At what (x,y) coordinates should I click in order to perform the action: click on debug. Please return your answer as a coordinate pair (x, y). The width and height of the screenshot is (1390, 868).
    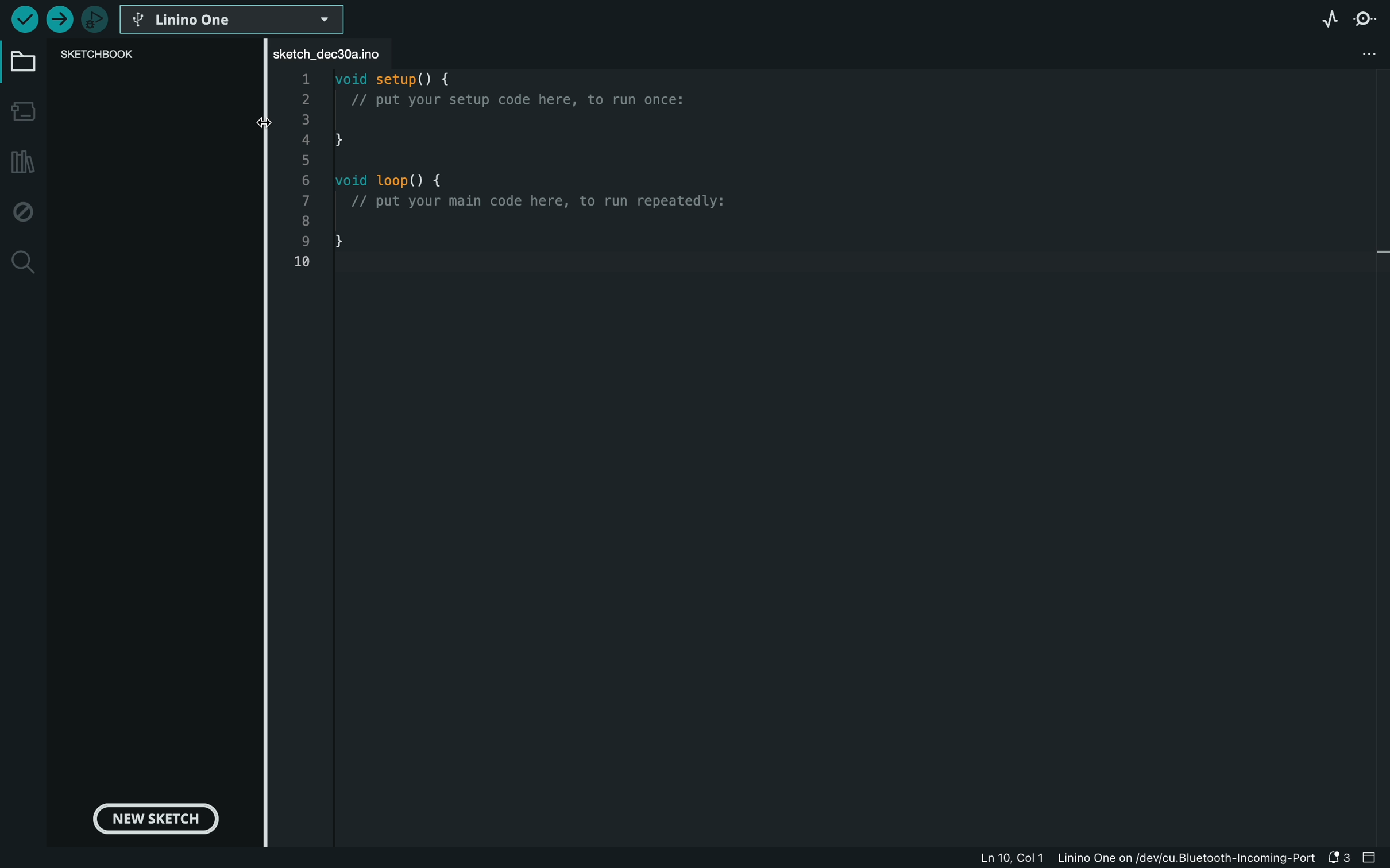
    Looking at the image, I should click on (20, 211).